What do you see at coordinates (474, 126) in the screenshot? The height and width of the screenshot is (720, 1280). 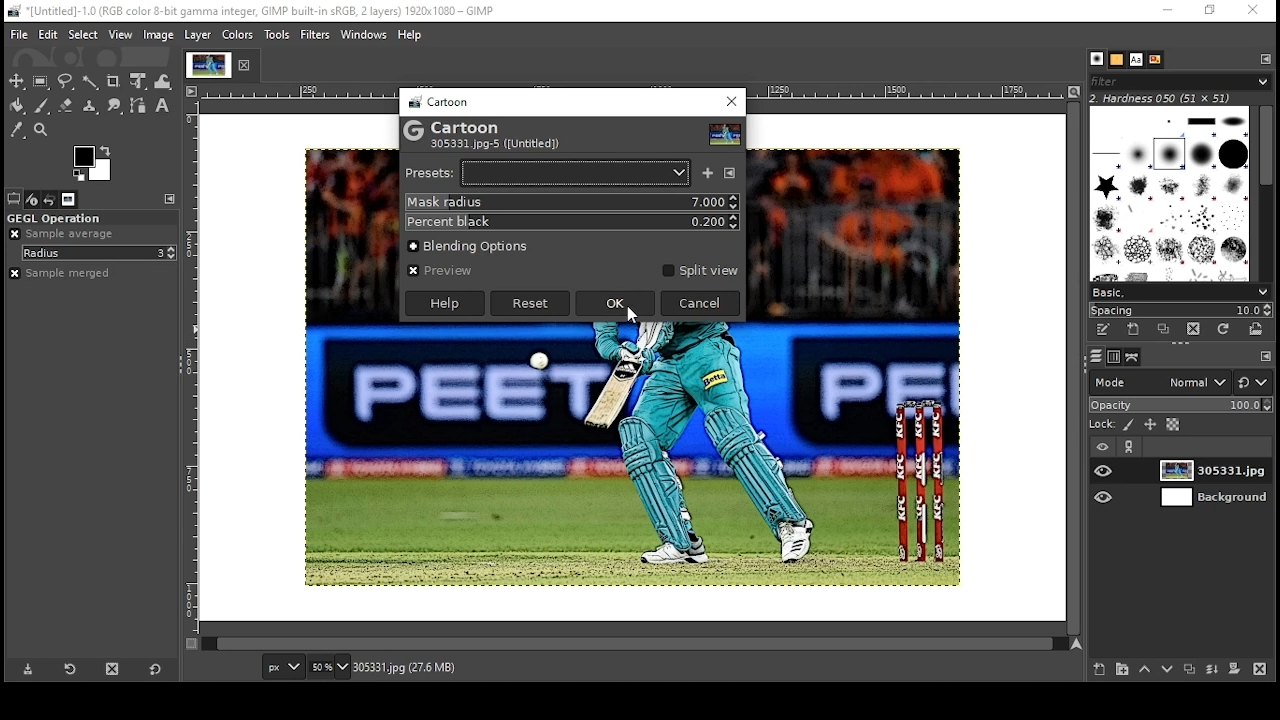 I see `cartoon` at bounding box center [474, 126].